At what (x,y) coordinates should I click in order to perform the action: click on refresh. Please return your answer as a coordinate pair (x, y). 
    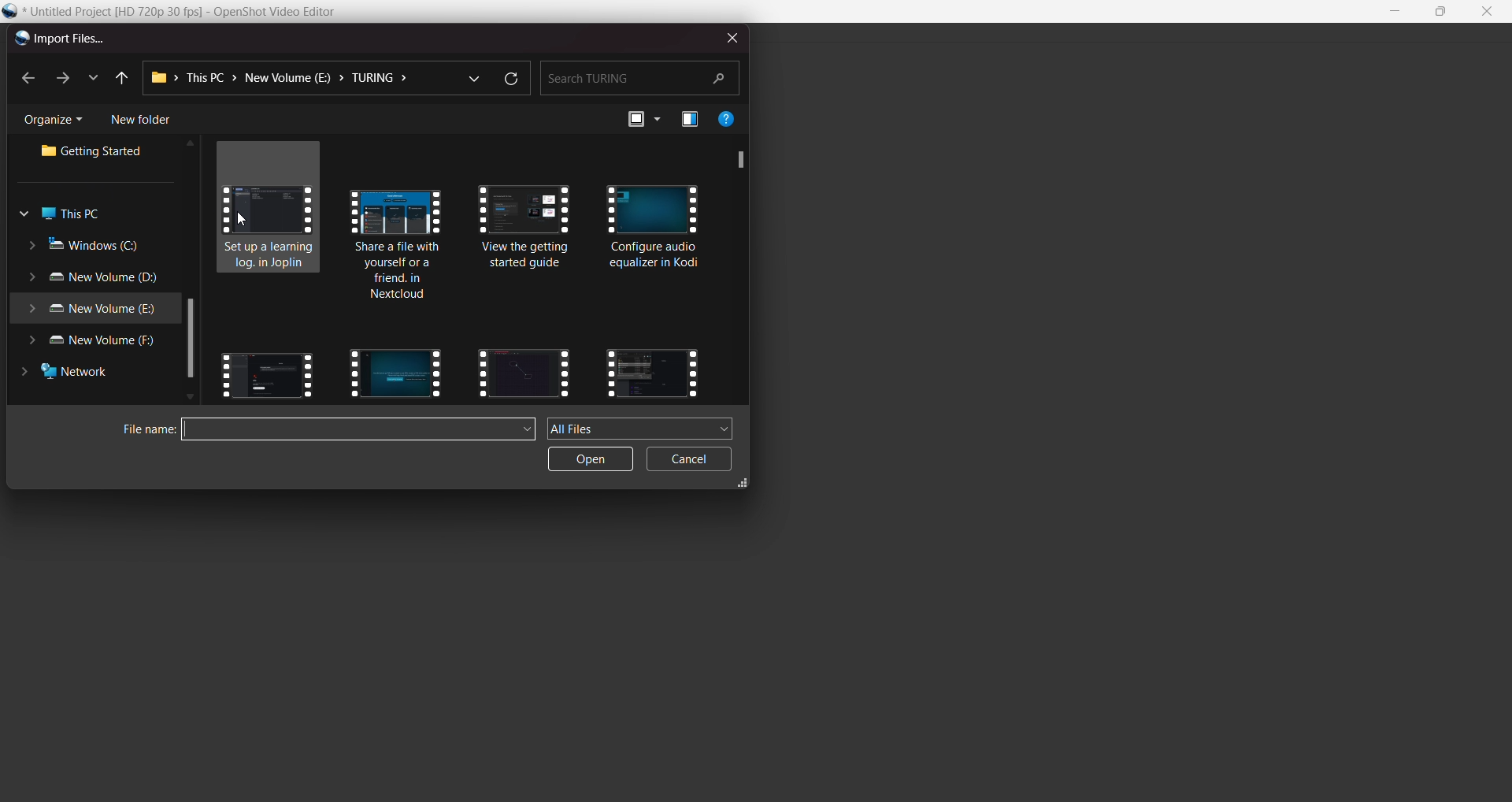
    Looking at the image, I should click on (510, 80).